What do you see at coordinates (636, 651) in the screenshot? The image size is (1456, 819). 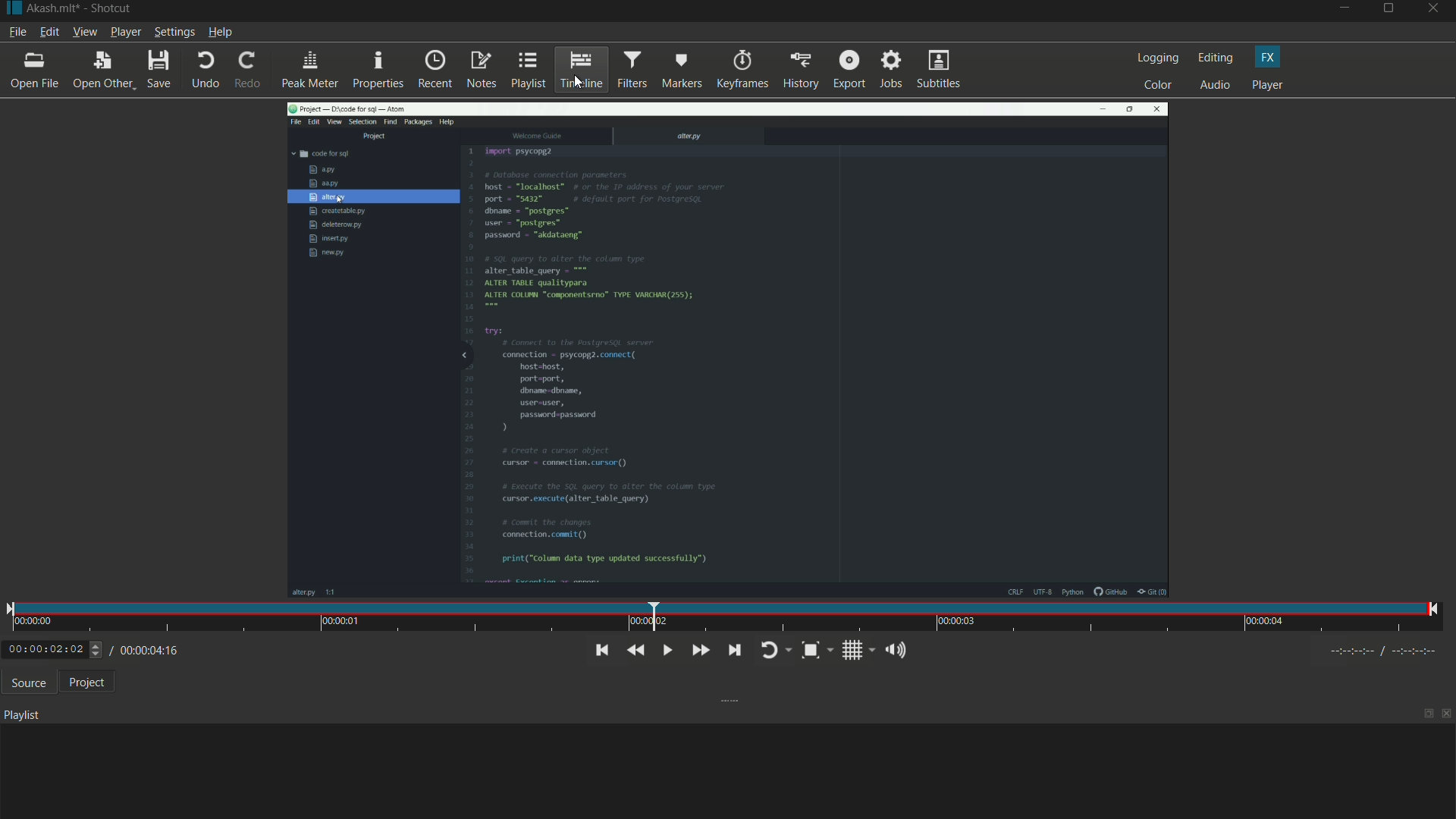 I see `quickly play backward` at bounding box center [636, 651].